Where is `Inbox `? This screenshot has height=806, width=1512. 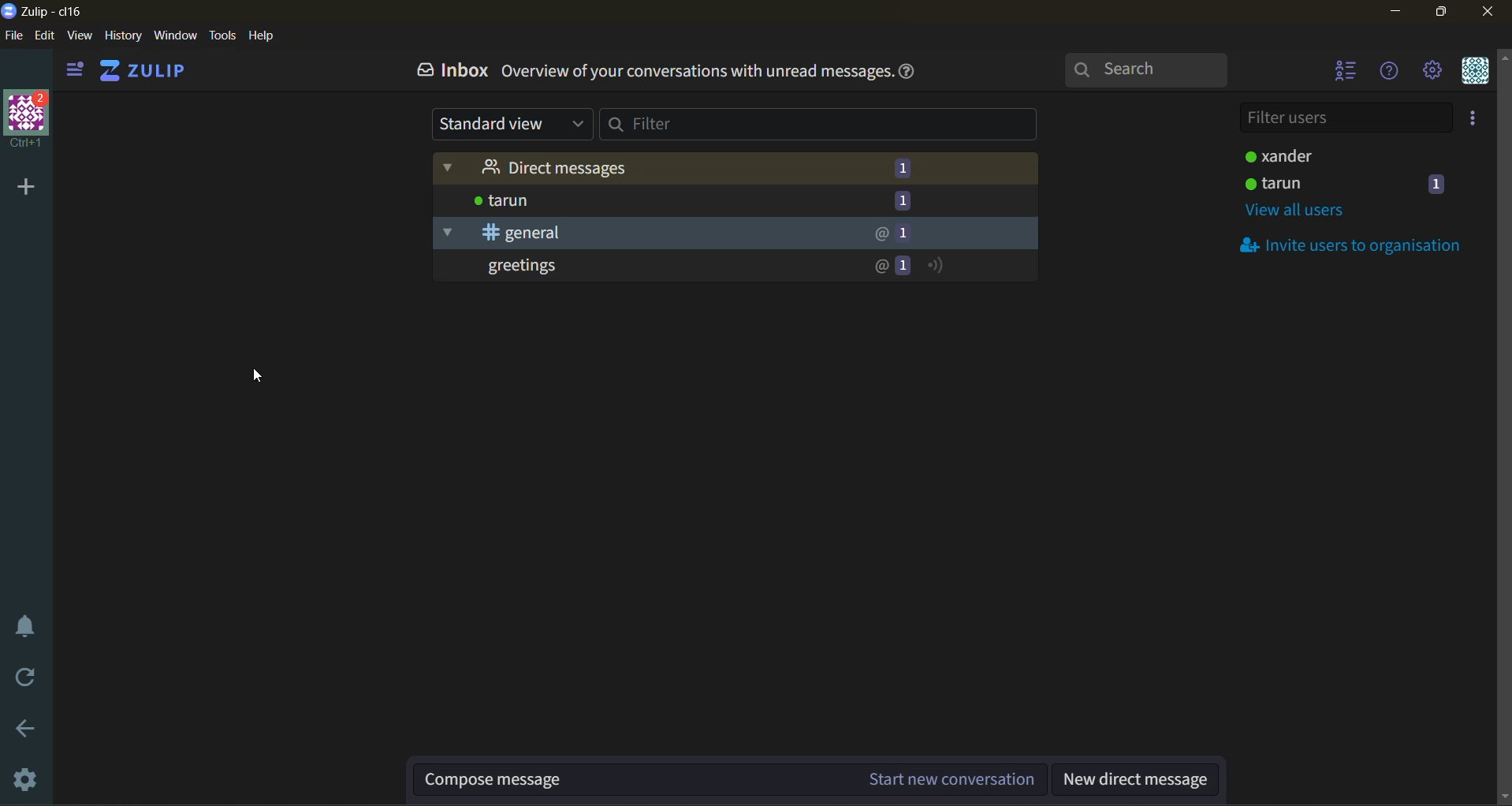 Inbox  is located at coordinates (450, 70).